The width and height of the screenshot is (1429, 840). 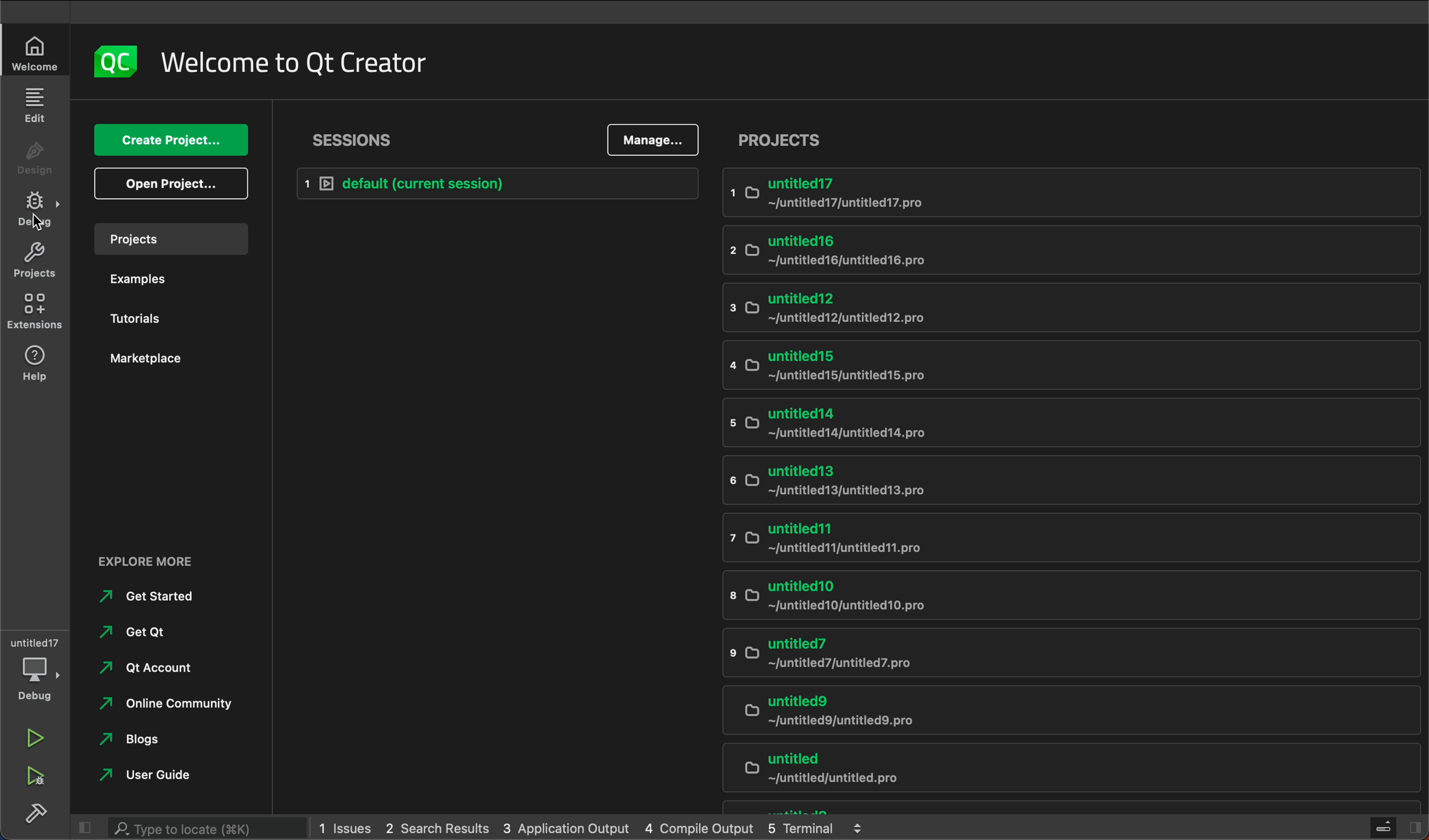 What do you see at coordinates (175, 319) in the screenshot?
I see `tutorials` at bounding box center [175, 319].